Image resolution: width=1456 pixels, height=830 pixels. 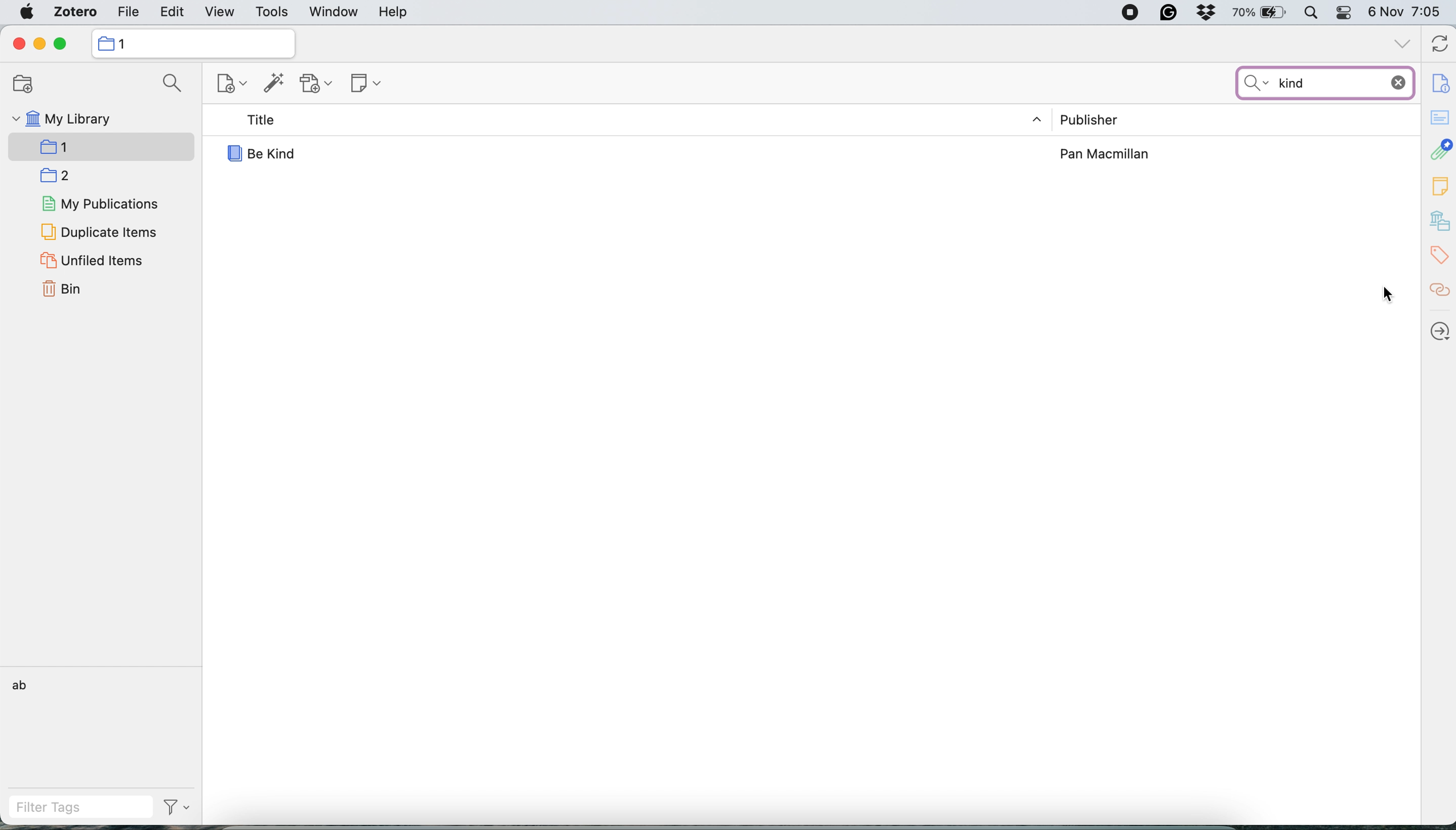 I want to click on note, so click(x=365, y=85).